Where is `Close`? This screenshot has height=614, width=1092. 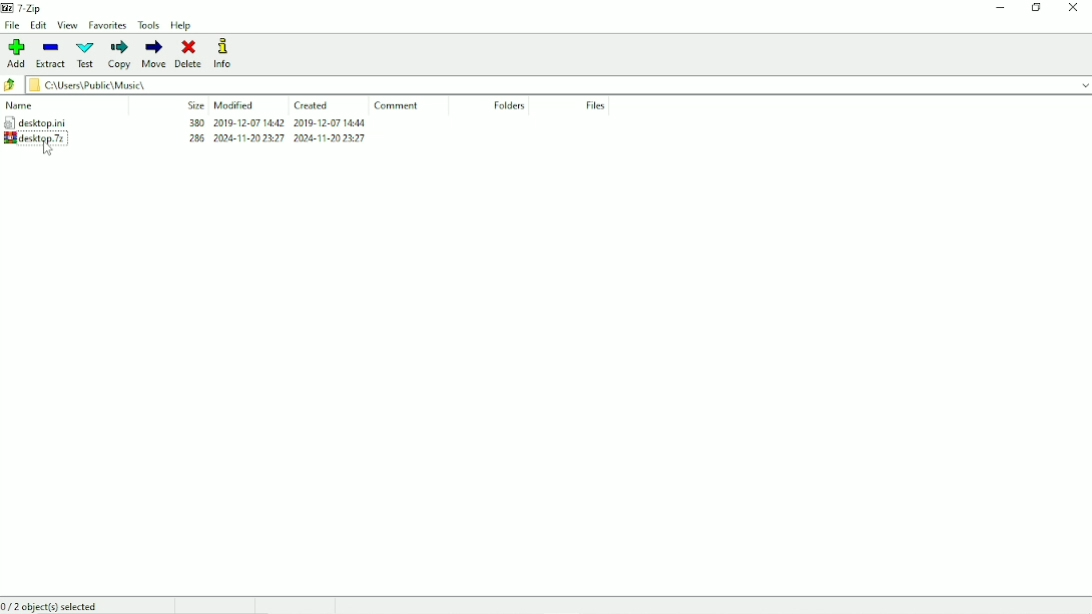
Close is located at coordinates (1074, 8).